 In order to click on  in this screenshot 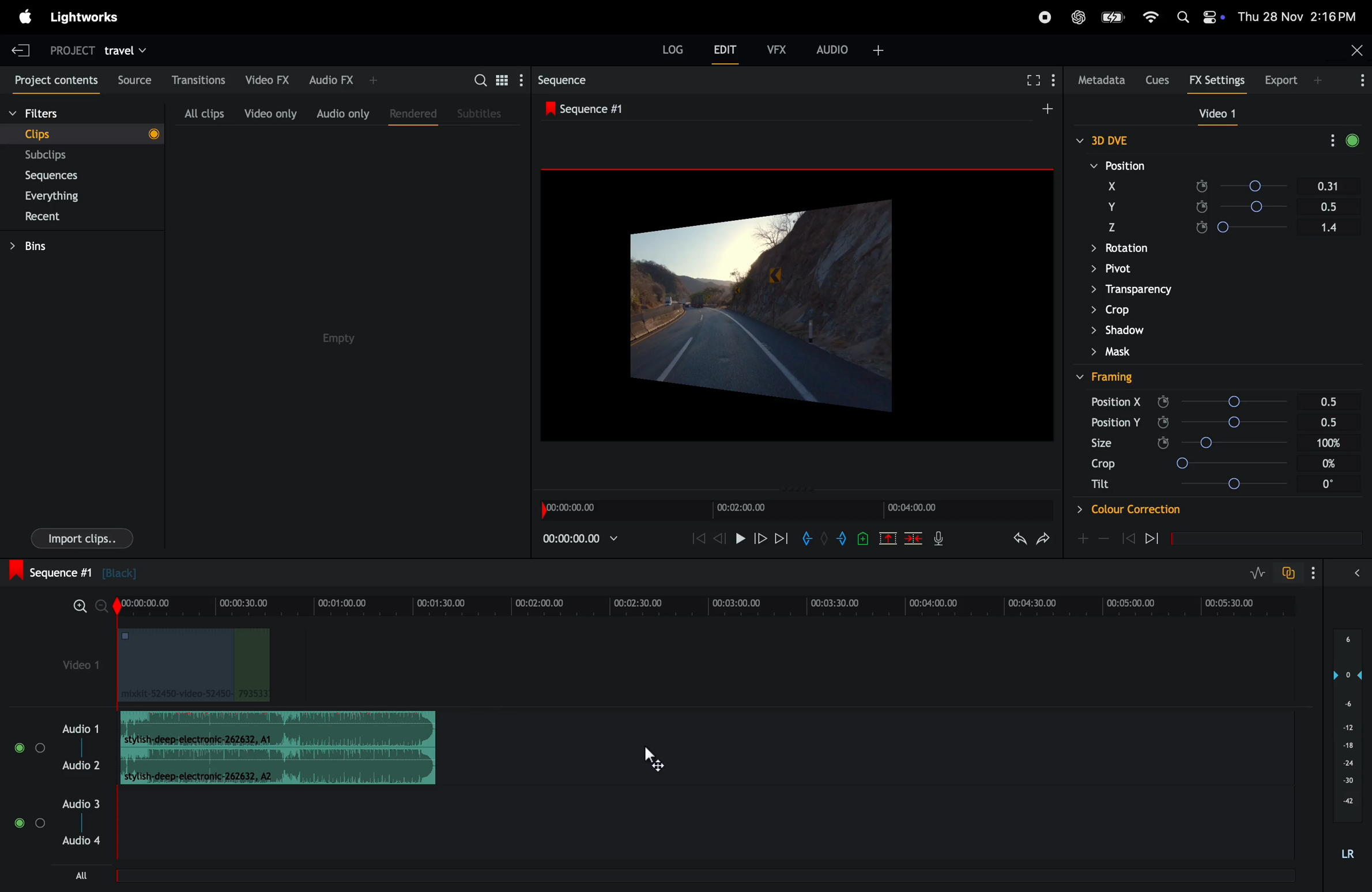, I will do `click(1237, 402)`.